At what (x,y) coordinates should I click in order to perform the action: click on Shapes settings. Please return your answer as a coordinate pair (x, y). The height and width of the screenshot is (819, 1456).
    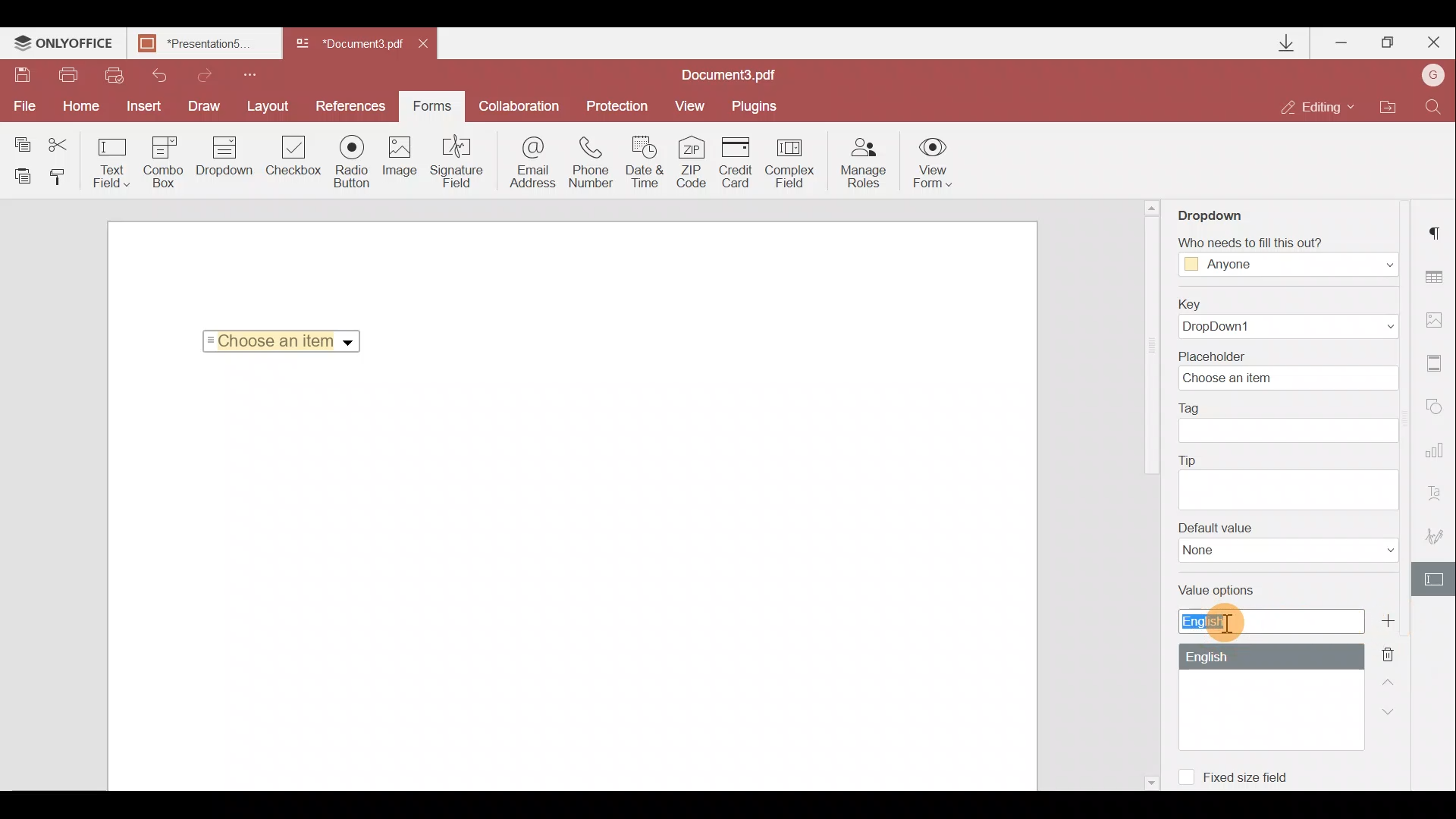
    Looking at the image, I should click on (1437, 409).